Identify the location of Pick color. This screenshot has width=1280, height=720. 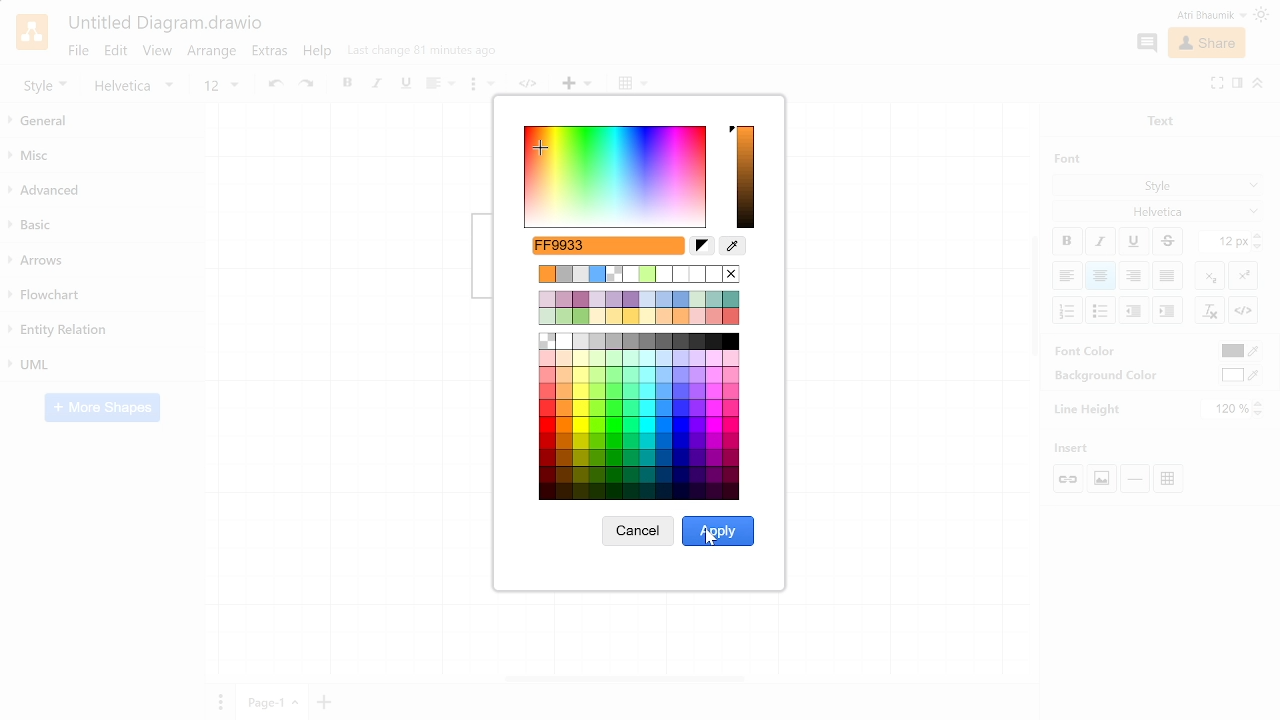
(733, 247).